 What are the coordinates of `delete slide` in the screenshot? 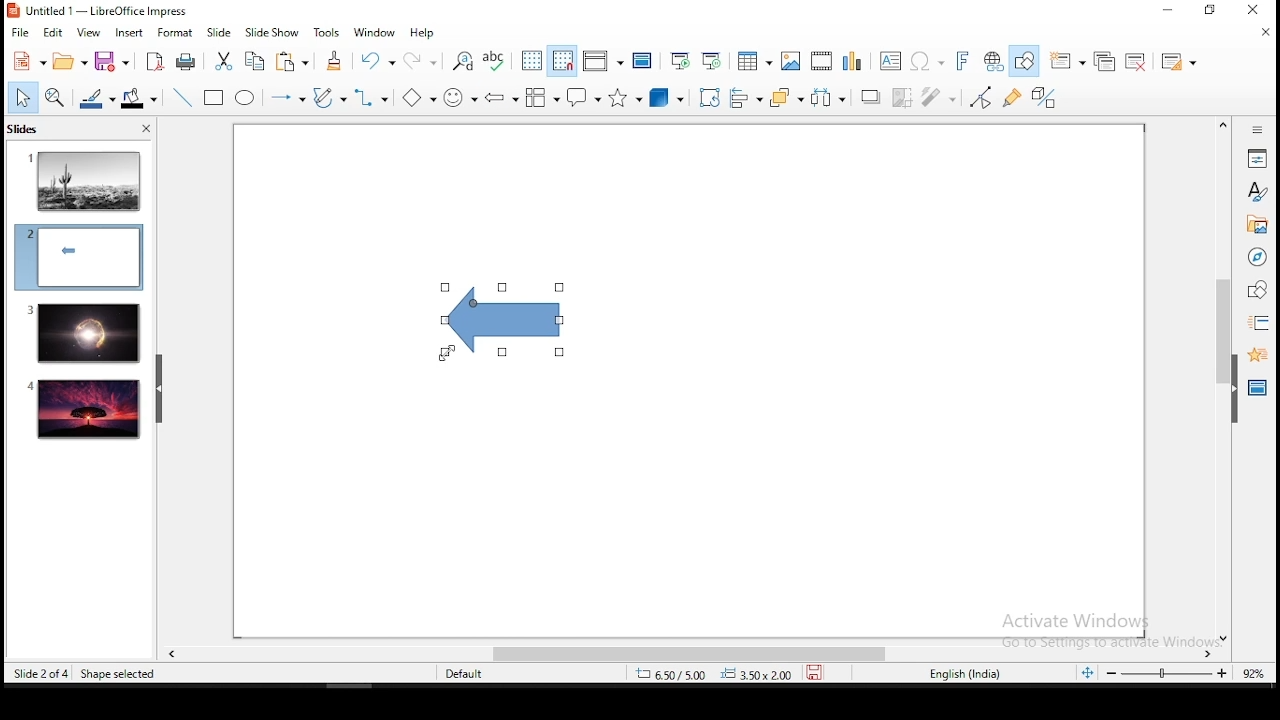 It's located at (1139, 62).